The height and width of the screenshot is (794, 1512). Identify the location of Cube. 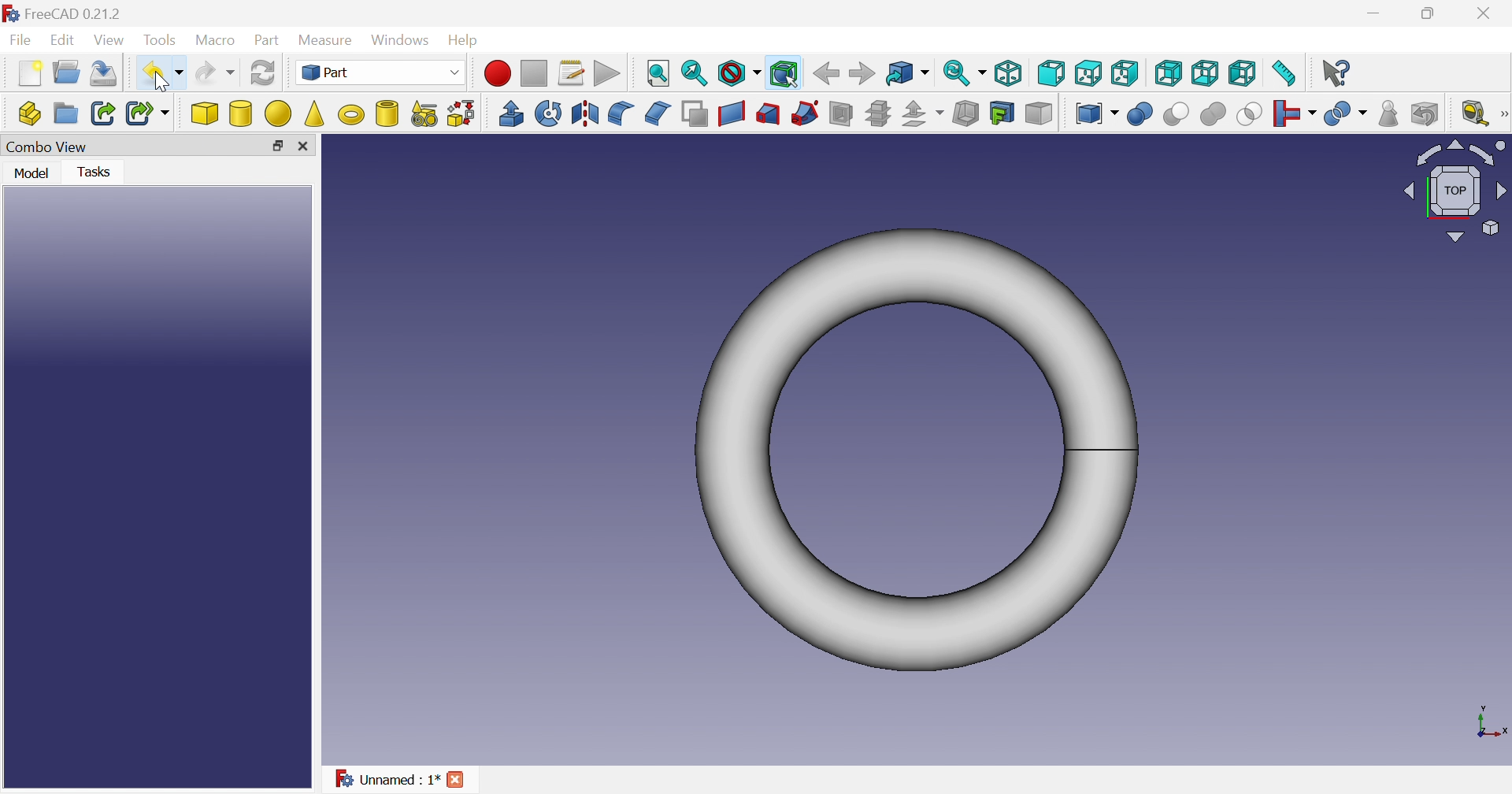
(206, 113).